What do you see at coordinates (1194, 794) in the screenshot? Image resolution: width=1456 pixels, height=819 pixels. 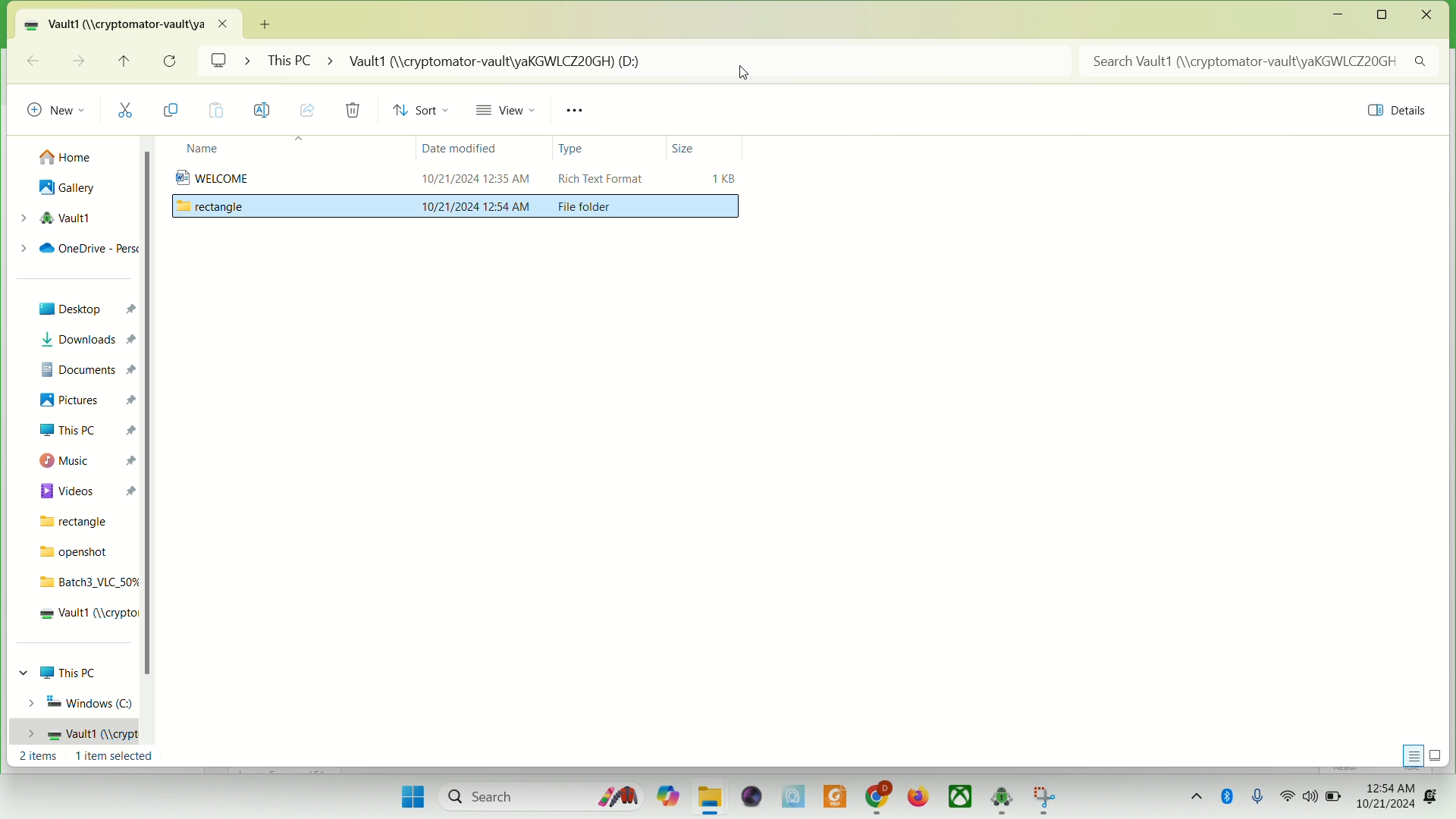 I see `show hidden icons` at bounding box center [1194, 794].